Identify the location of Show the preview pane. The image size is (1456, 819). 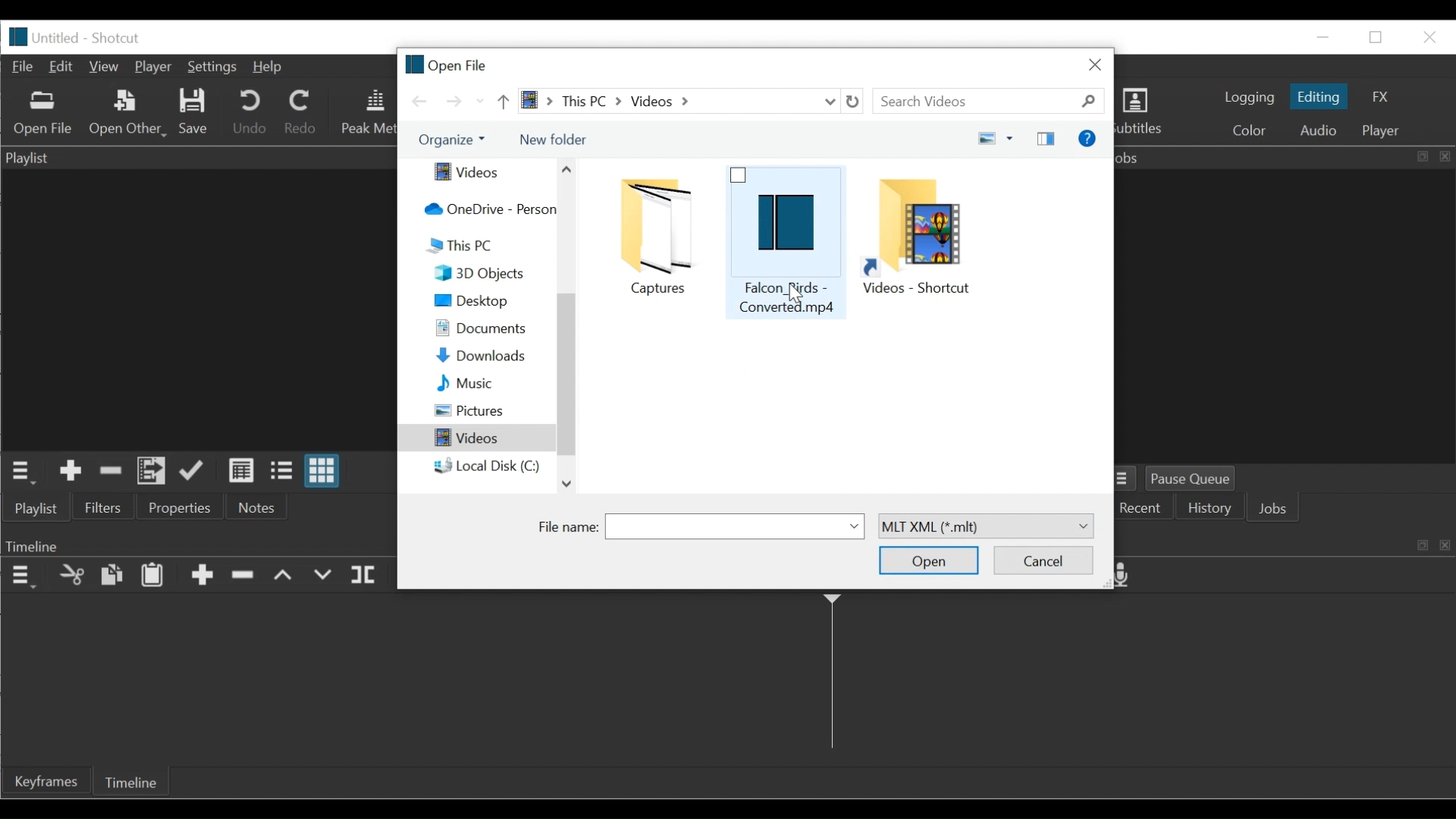
(1048, 138).